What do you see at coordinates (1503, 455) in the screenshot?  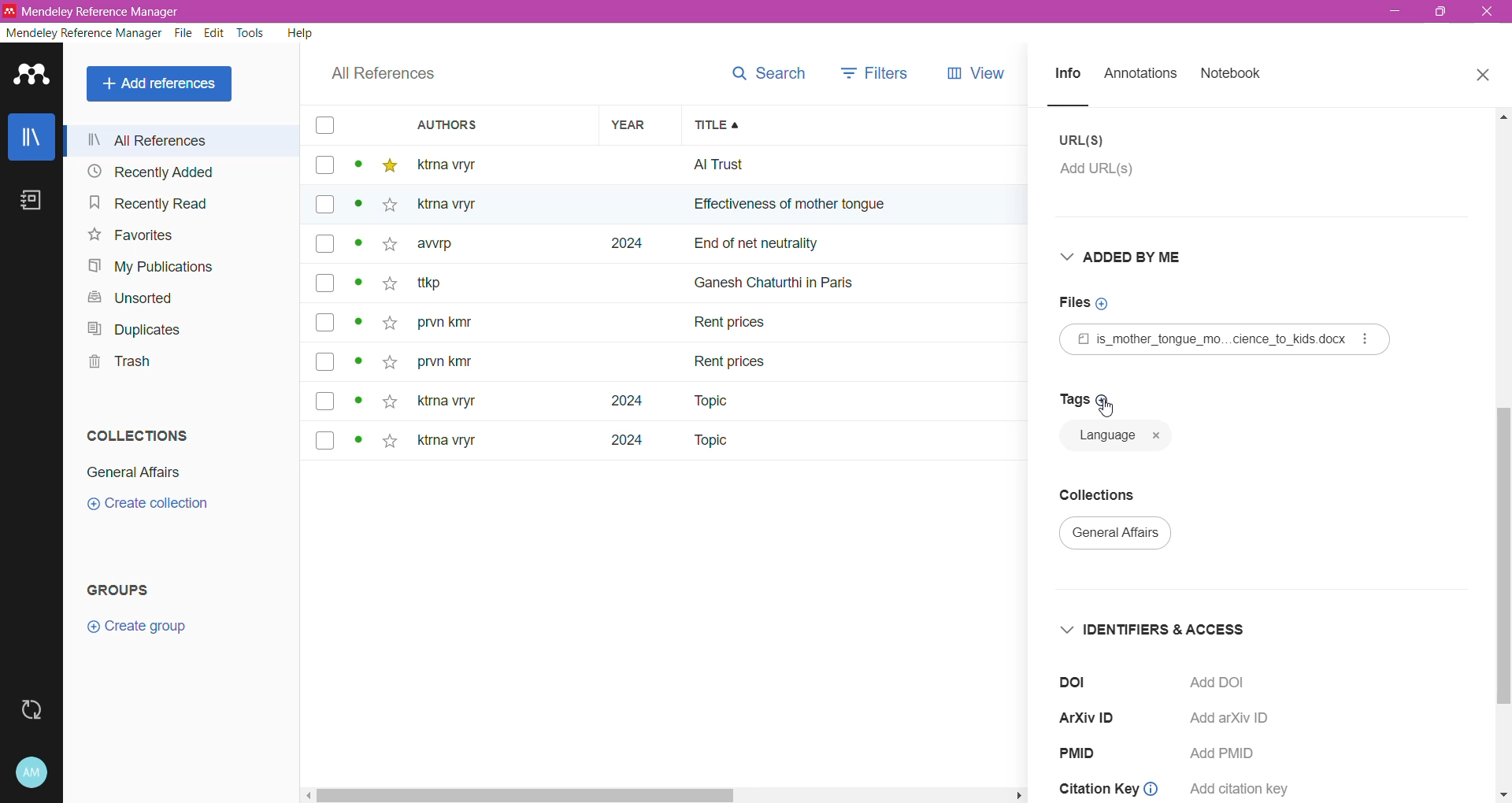 I see `Vertical Scroll Bar dragged to final position` at bounding box center [1503, 455].